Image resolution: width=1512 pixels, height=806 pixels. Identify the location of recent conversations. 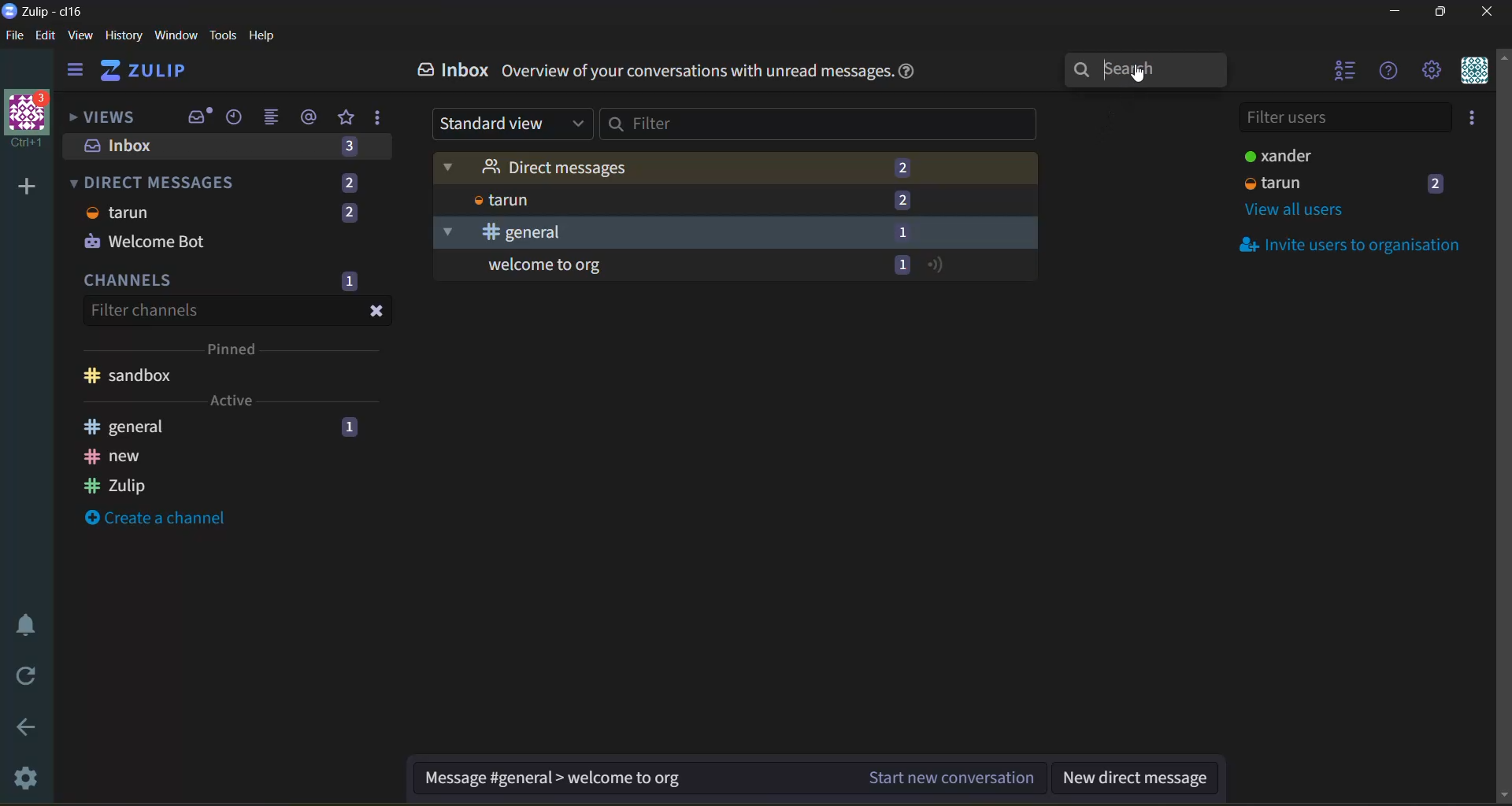
(235, 118).